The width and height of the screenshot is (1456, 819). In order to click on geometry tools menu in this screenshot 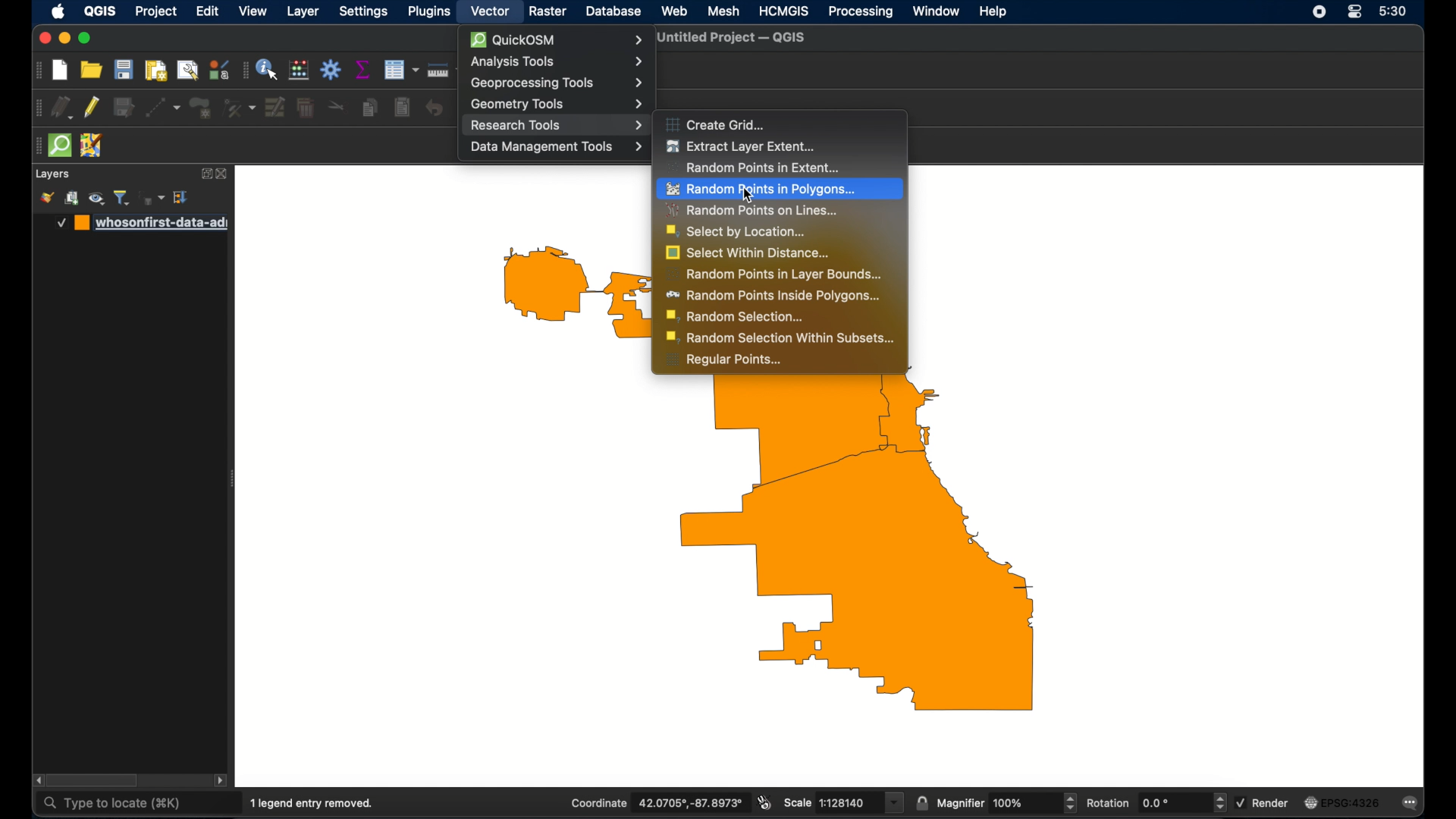, I will do `click(555, 103)`.